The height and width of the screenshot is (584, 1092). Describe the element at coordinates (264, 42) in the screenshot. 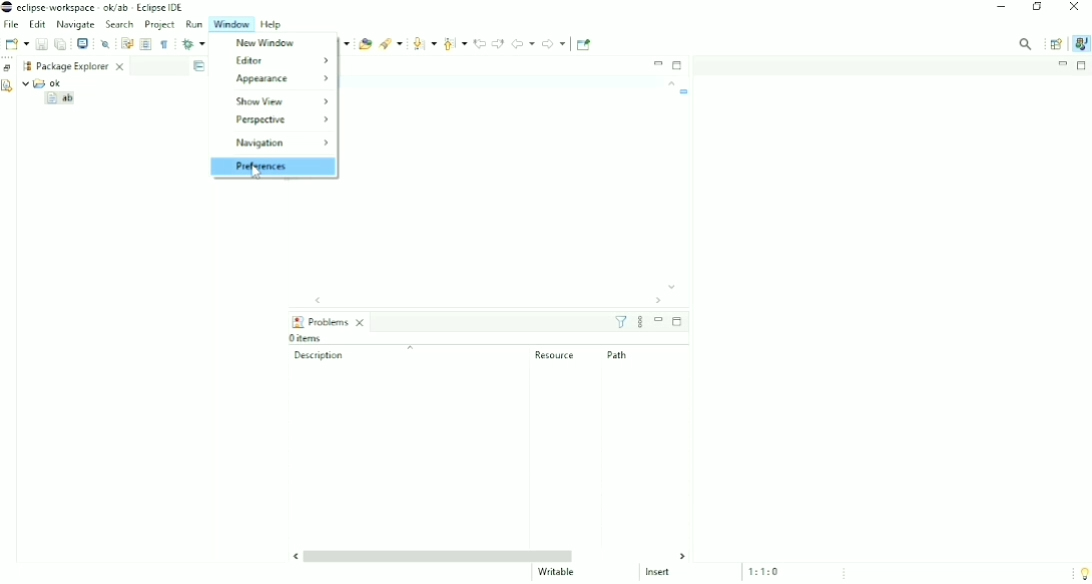

I see `New Window` at that location.